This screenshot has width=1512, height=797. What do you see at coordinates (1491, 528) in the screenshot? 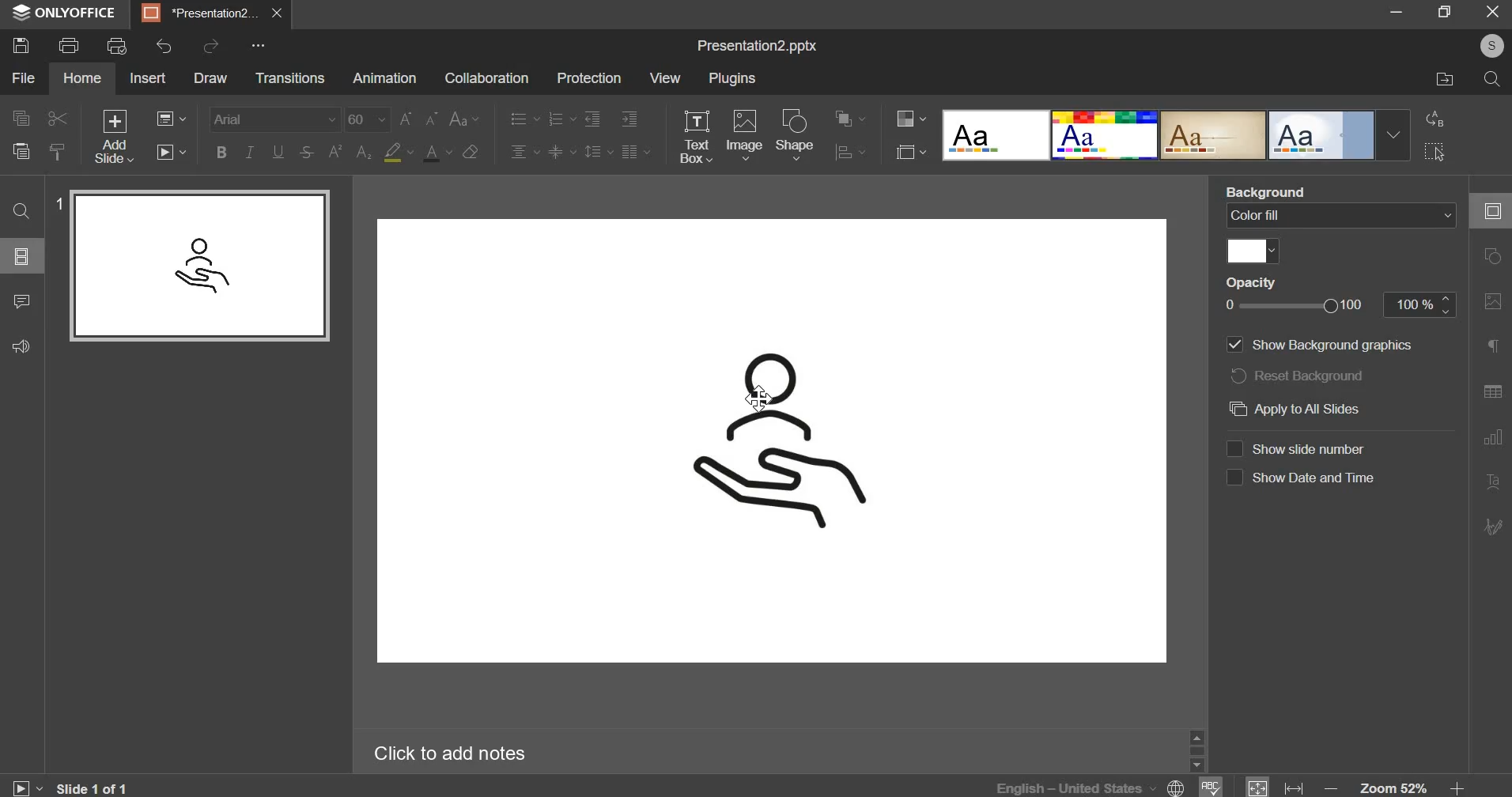
I see `signature` at bounding box center [1491, 528].